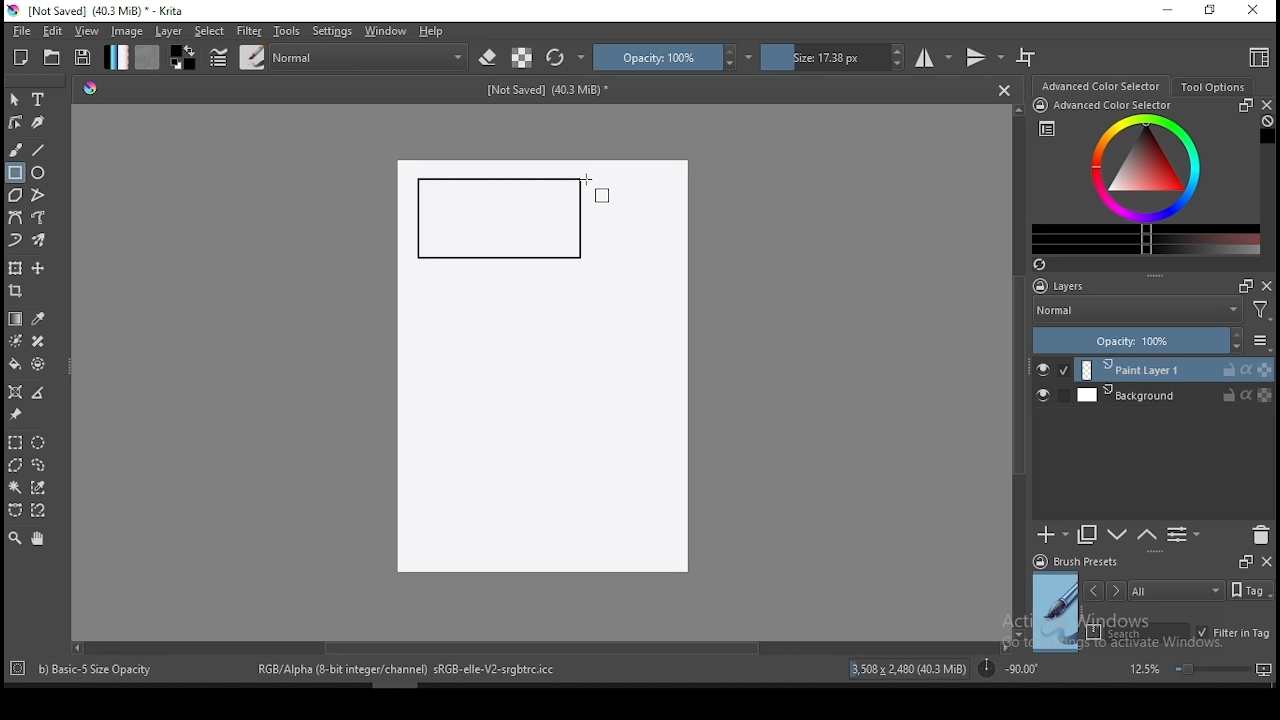 The height and width of the screenshot is (720, 1280). What do you see at coordinates (116, 57) in the screenshot?
I see `gradient fill` at bounding box center [116, 57].